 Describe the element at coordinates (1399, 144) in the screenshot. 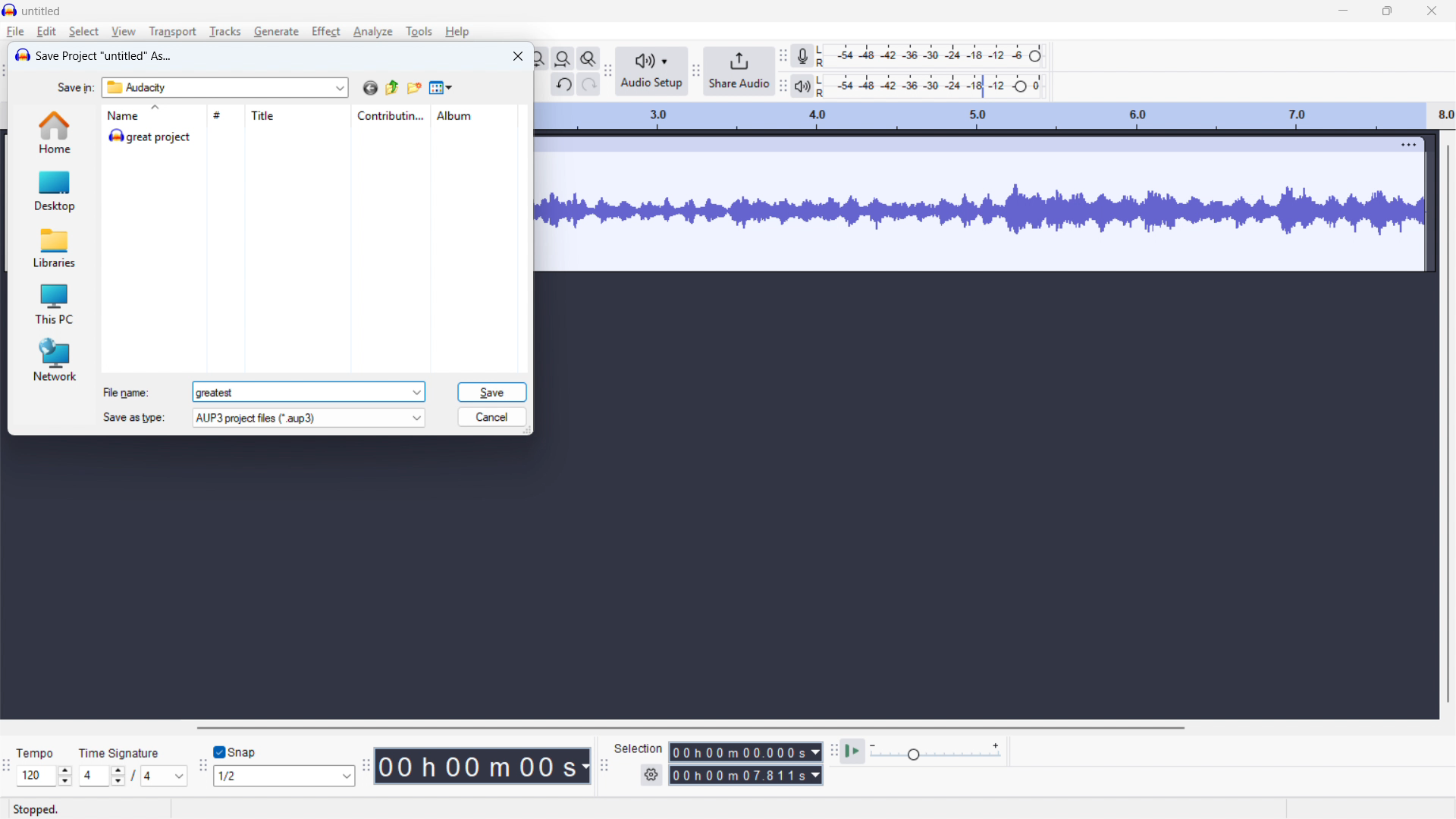

I see `track options` at that location.